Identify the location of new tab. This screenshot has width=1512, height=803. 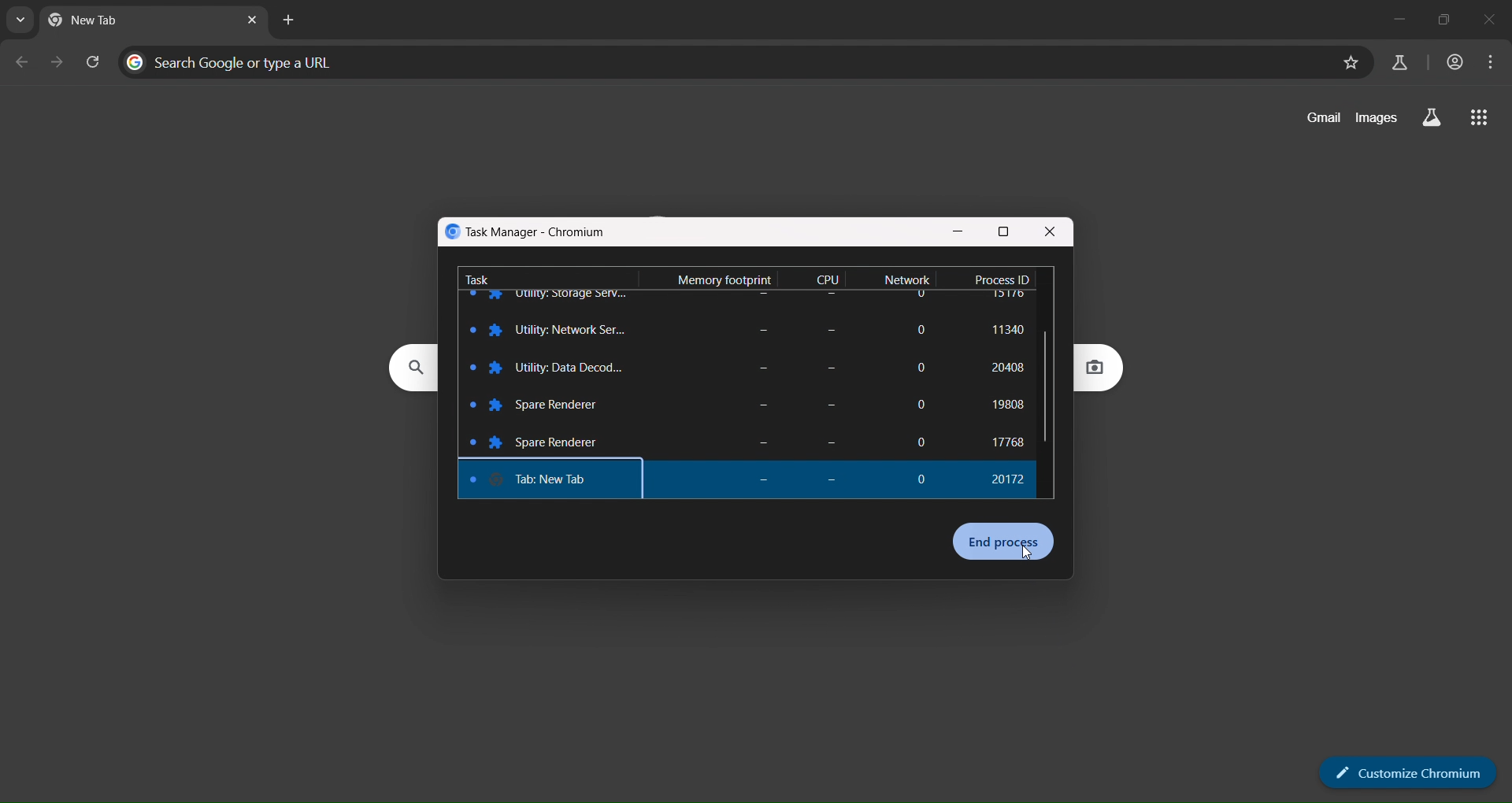
(287, 22).